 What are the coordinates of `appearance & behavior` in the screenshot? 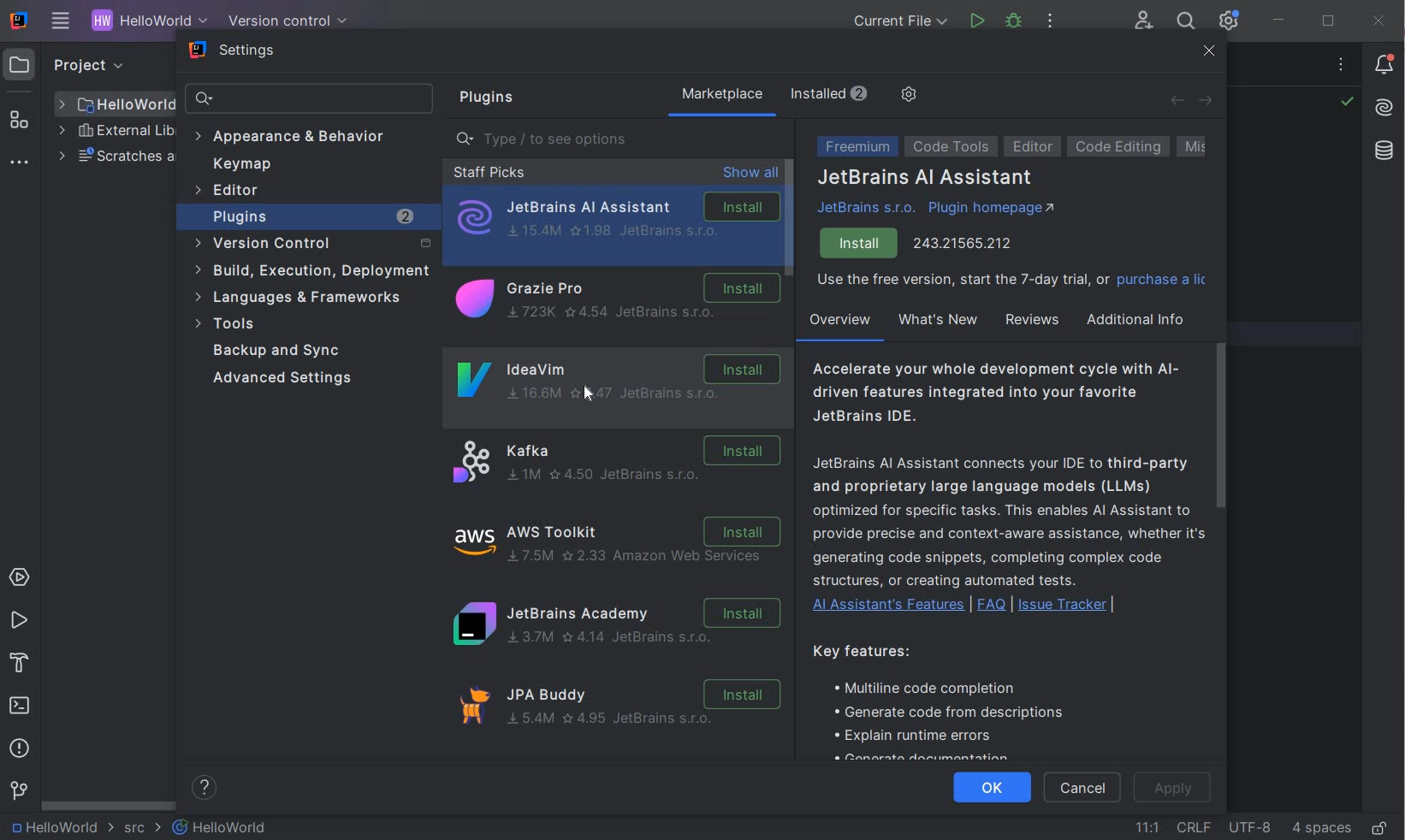 It's located at (298, 136).